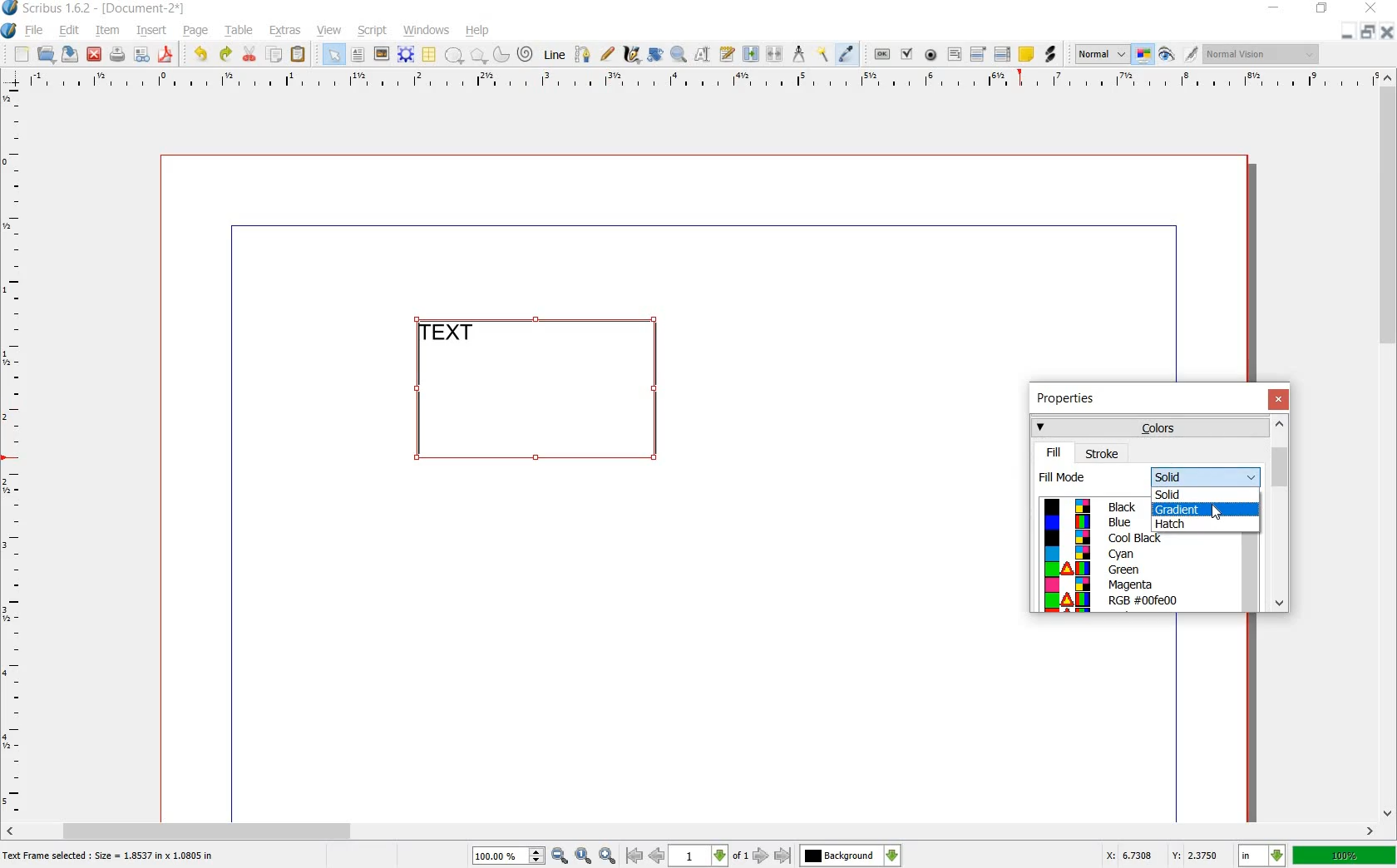  What do you see at coordinates (14, 452) in the screenshot?
I see `ruler` at bounding box center [14, 452].